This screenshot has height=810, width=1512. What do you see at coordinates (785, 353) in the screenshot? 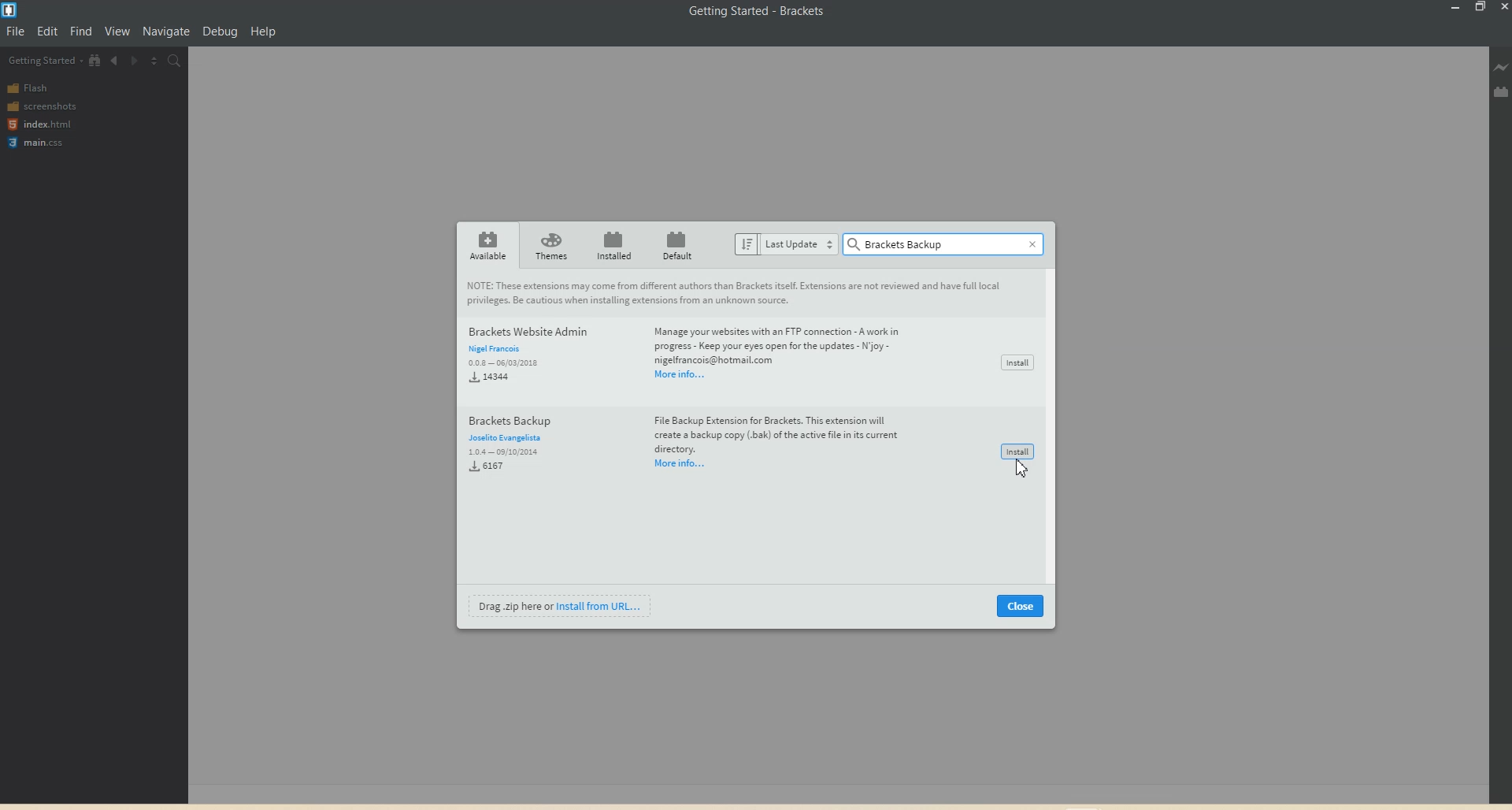
I see `Manage your websites with an FTP connection - A work in progress - Keep your eyes open for the updates - joy -nigelfrancois@hotmail.comMoreinfo...` at bounding box center [785, 353].